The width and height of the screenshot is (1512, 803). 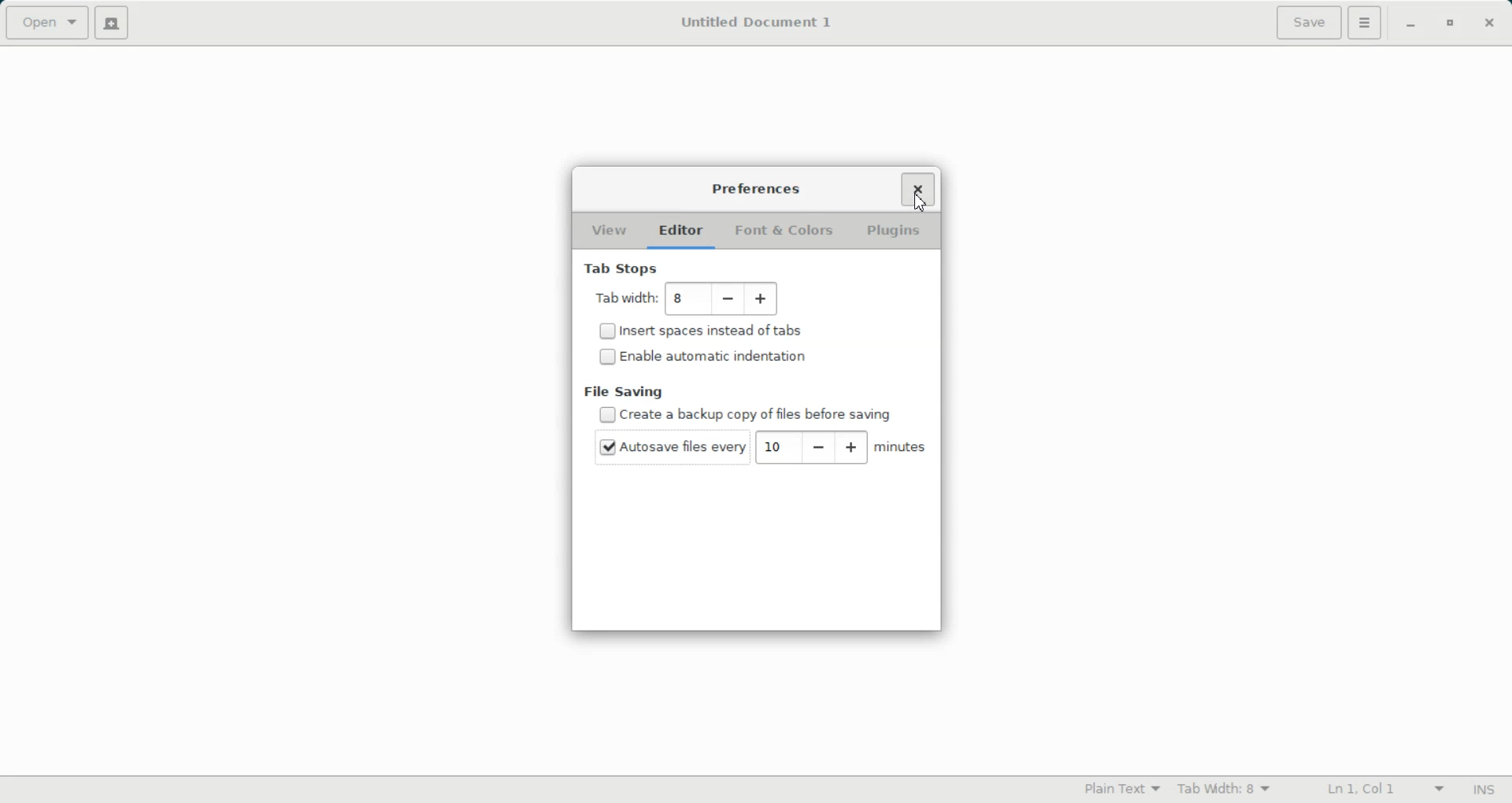 I want to click on Editor , so click(x=678, y=233).